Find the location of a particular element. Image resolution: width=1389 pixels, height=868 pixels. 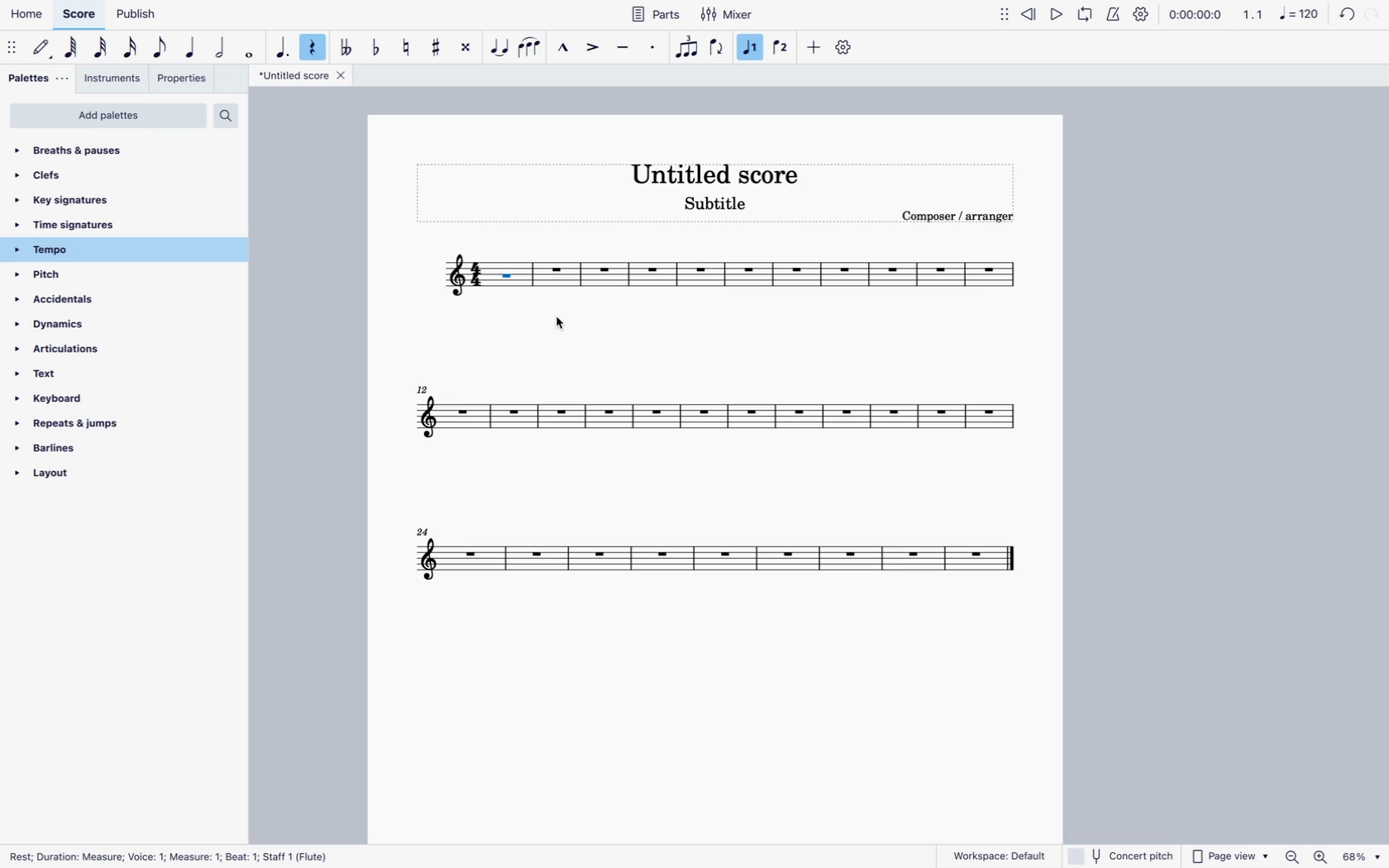

dynamics is located at coordinates (91, 326).